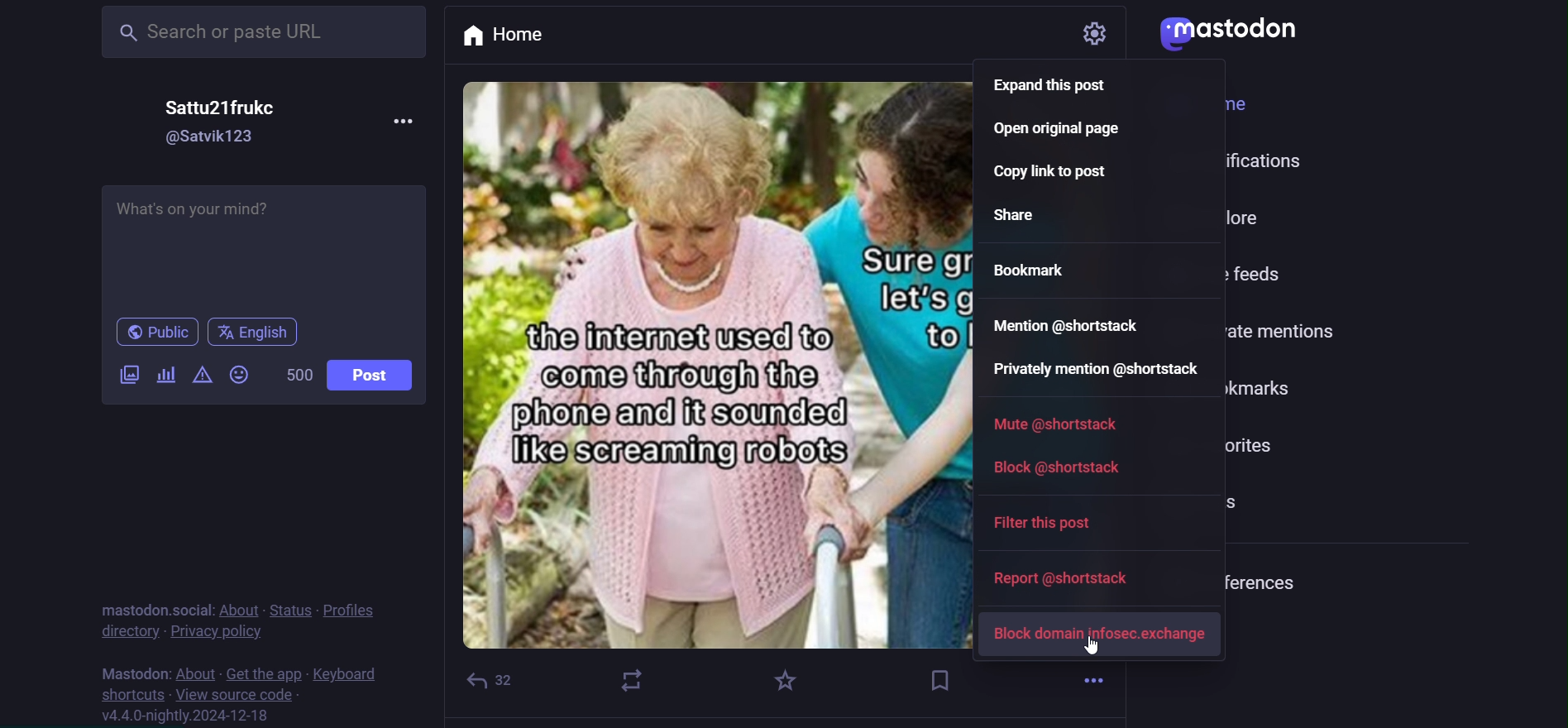  What do you see at coordinates (1071, 581) in the screenshot?
I see `report` at bounding box center [1071, 581].